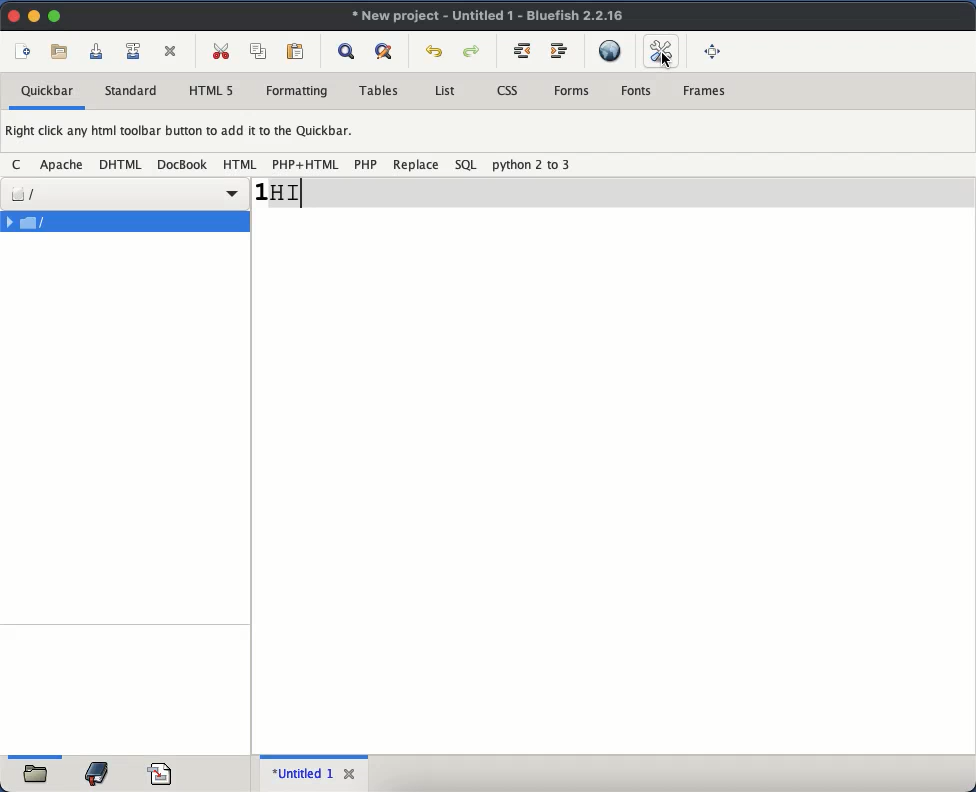 Image resolution: width=976 pixels, height=792 pixels. I want to click on apache, so click(64, 165).